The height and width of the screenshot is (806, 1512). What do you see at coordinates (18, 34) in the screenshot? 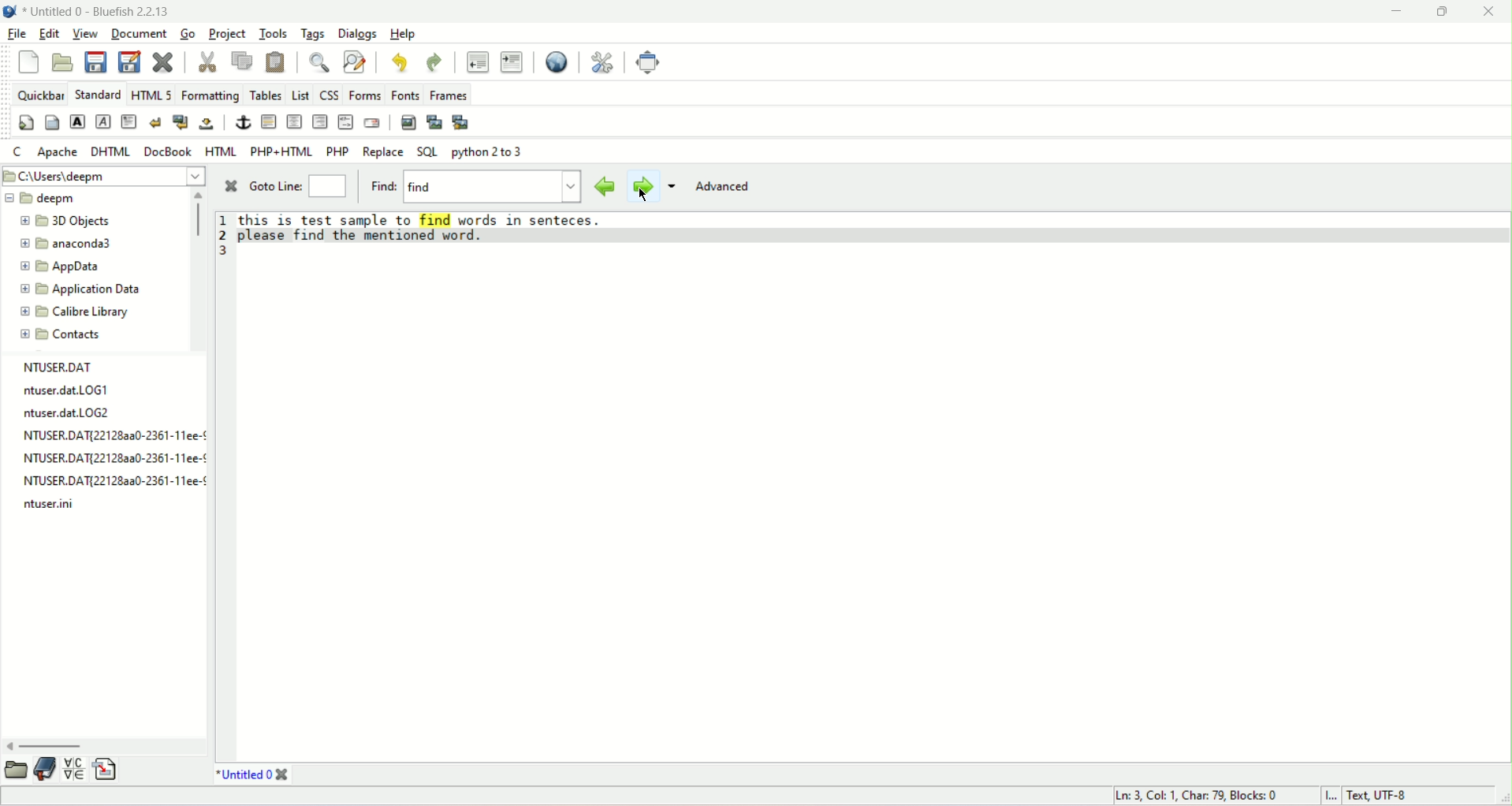
I see `file` at bounding box center [18, 34].